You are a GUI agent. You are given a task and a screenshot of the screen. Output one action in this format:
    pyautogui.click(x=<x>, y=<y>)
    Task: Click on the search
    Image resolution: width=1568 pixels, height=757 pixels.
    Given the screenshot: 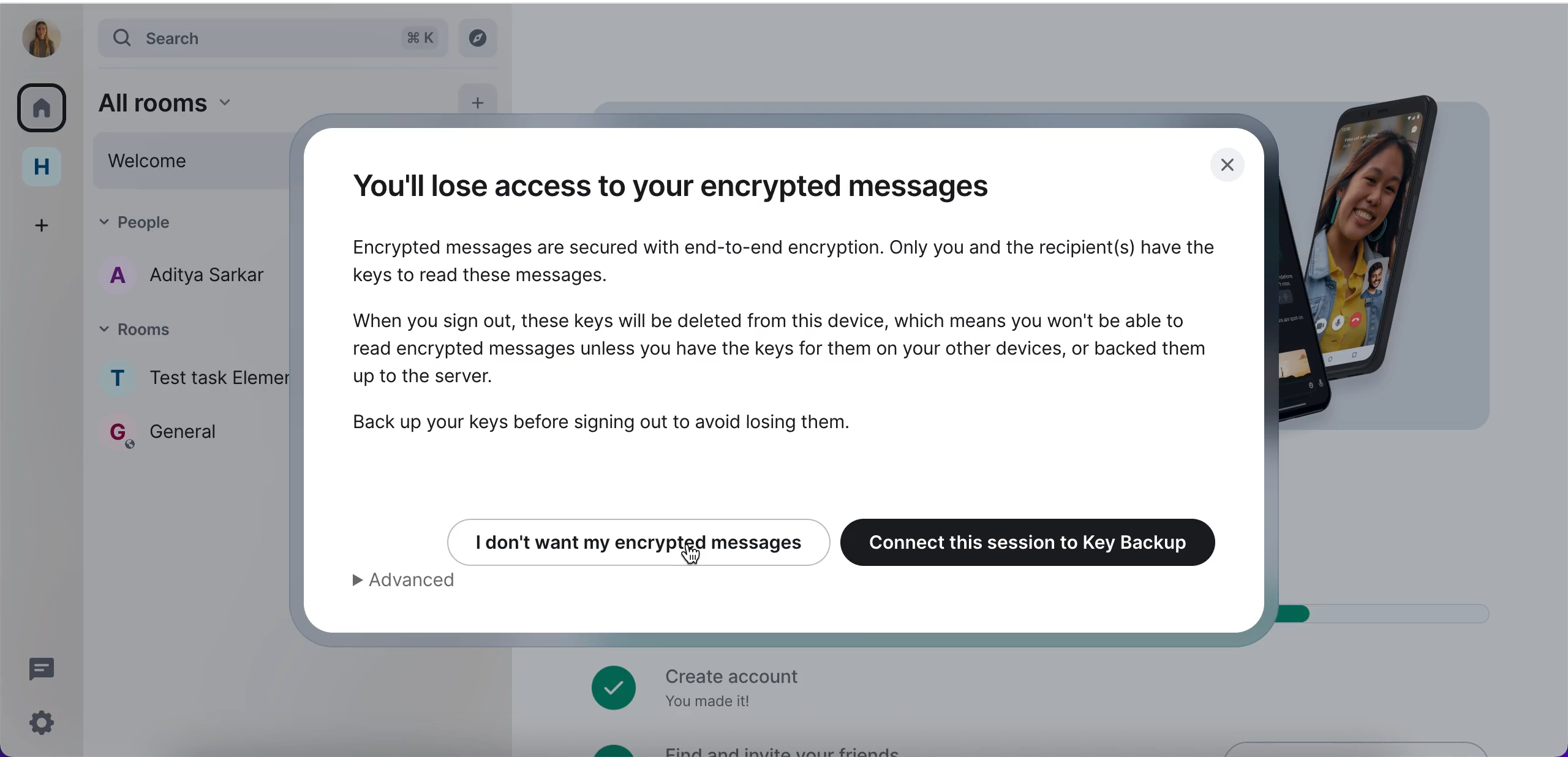 What is the action you would take?
    pyautogui.click(x=276, y=38)
    